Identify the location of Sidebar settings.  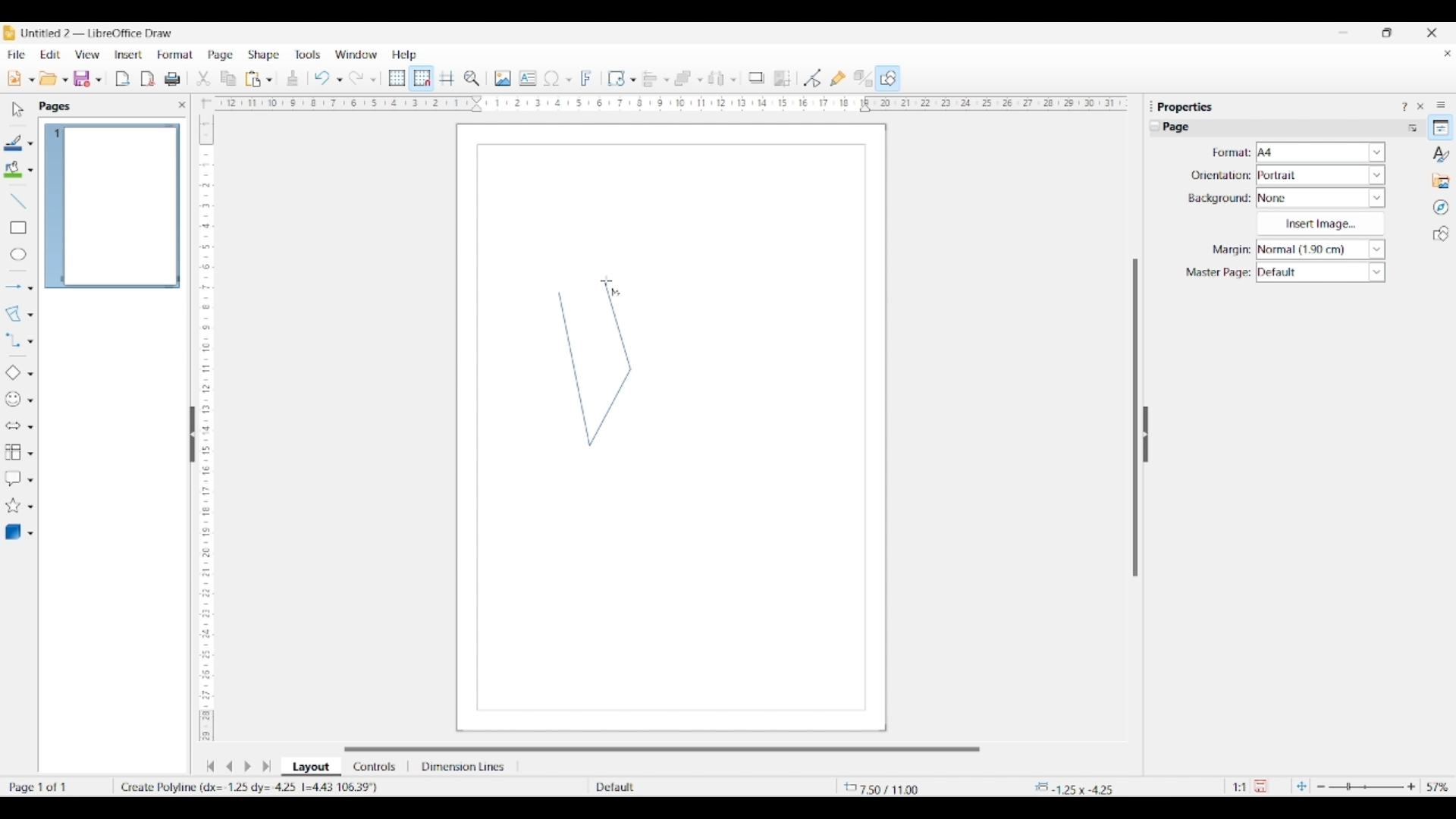
(1441, 104).